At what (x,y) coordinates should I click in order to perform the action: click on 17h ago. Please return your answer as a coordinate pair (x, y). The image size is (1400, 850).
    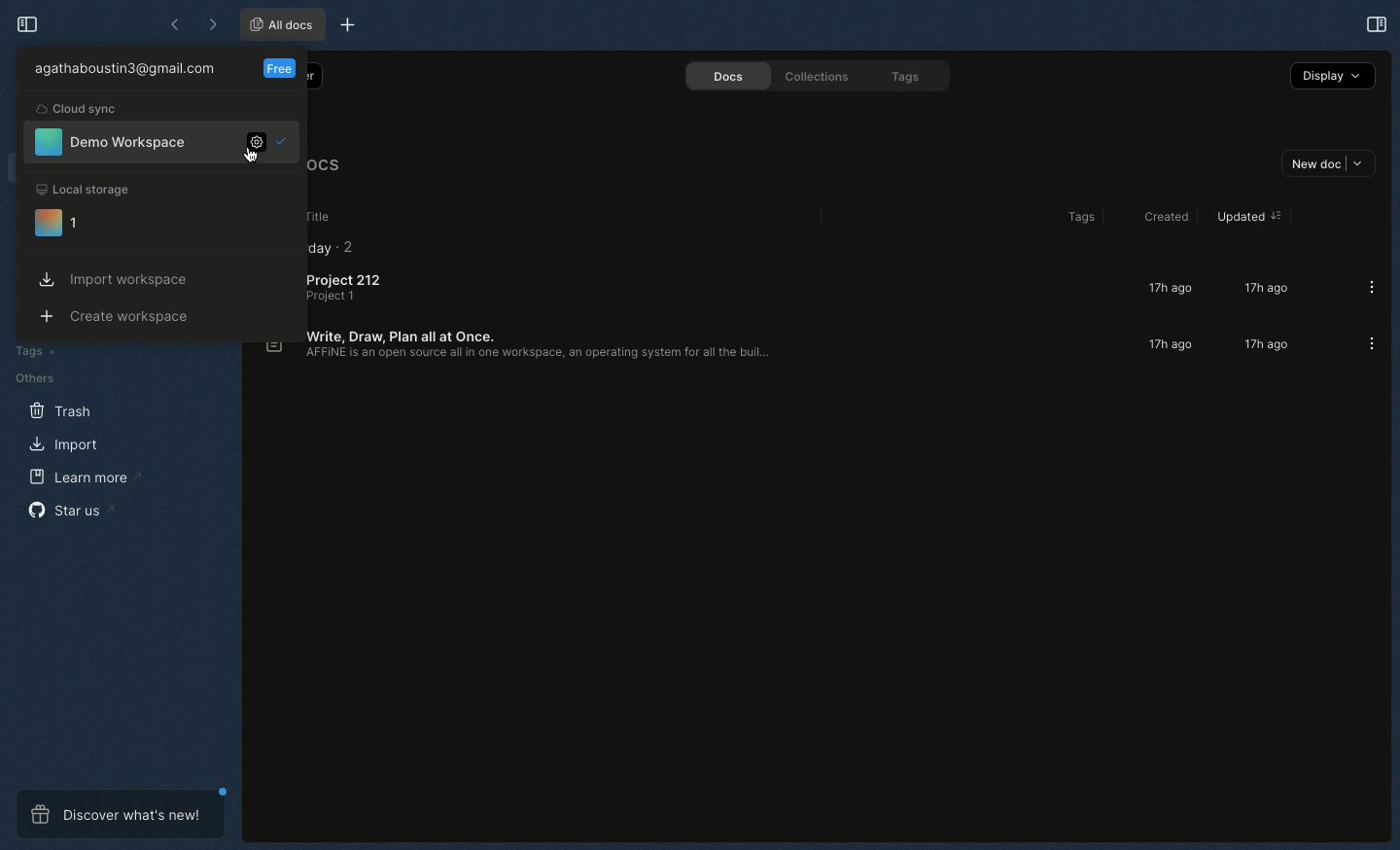
    Looking at the image, I should click on (1263, 345).